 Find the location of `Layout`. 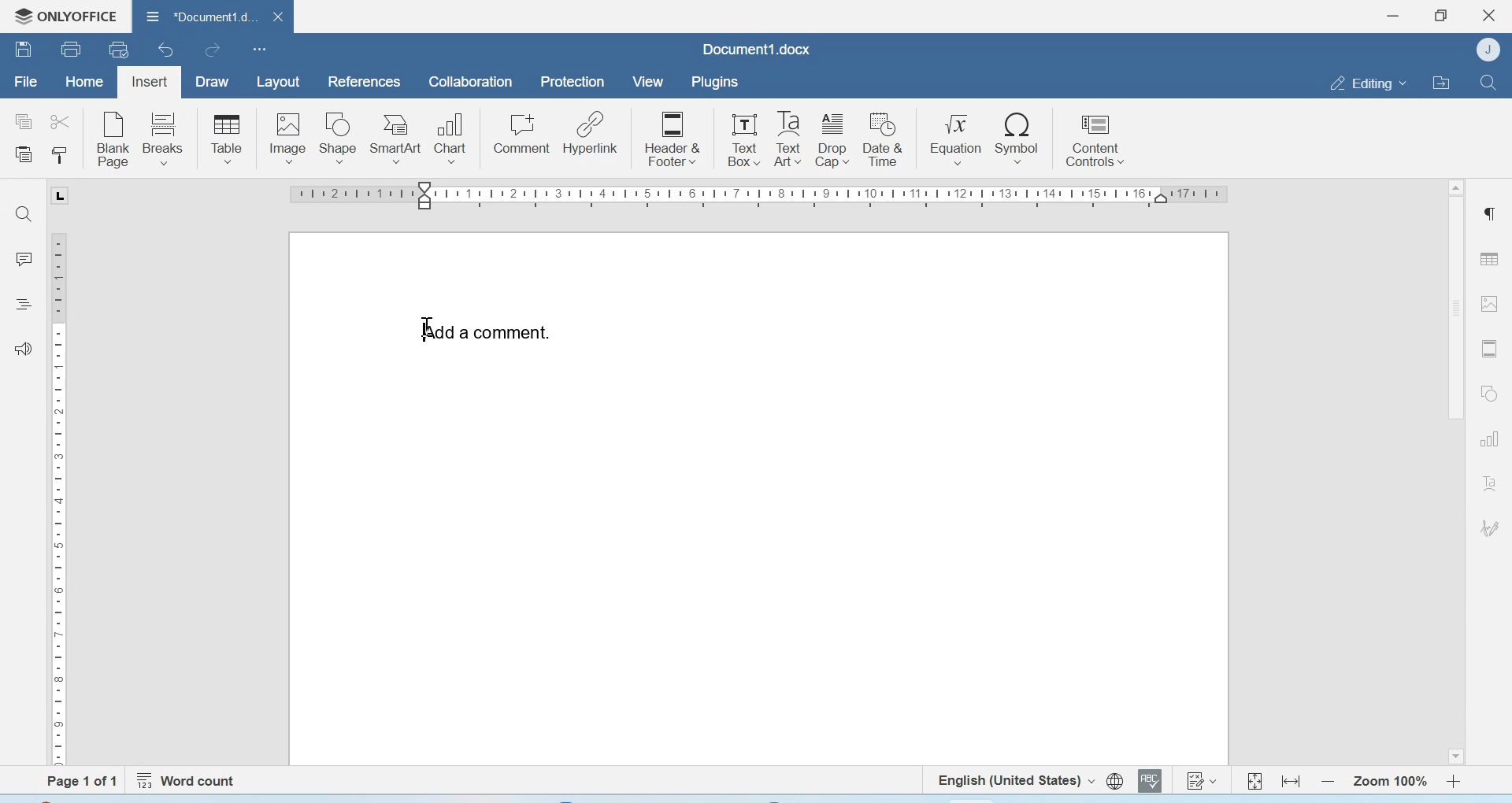

Layout is located at coordinates (277, 83).